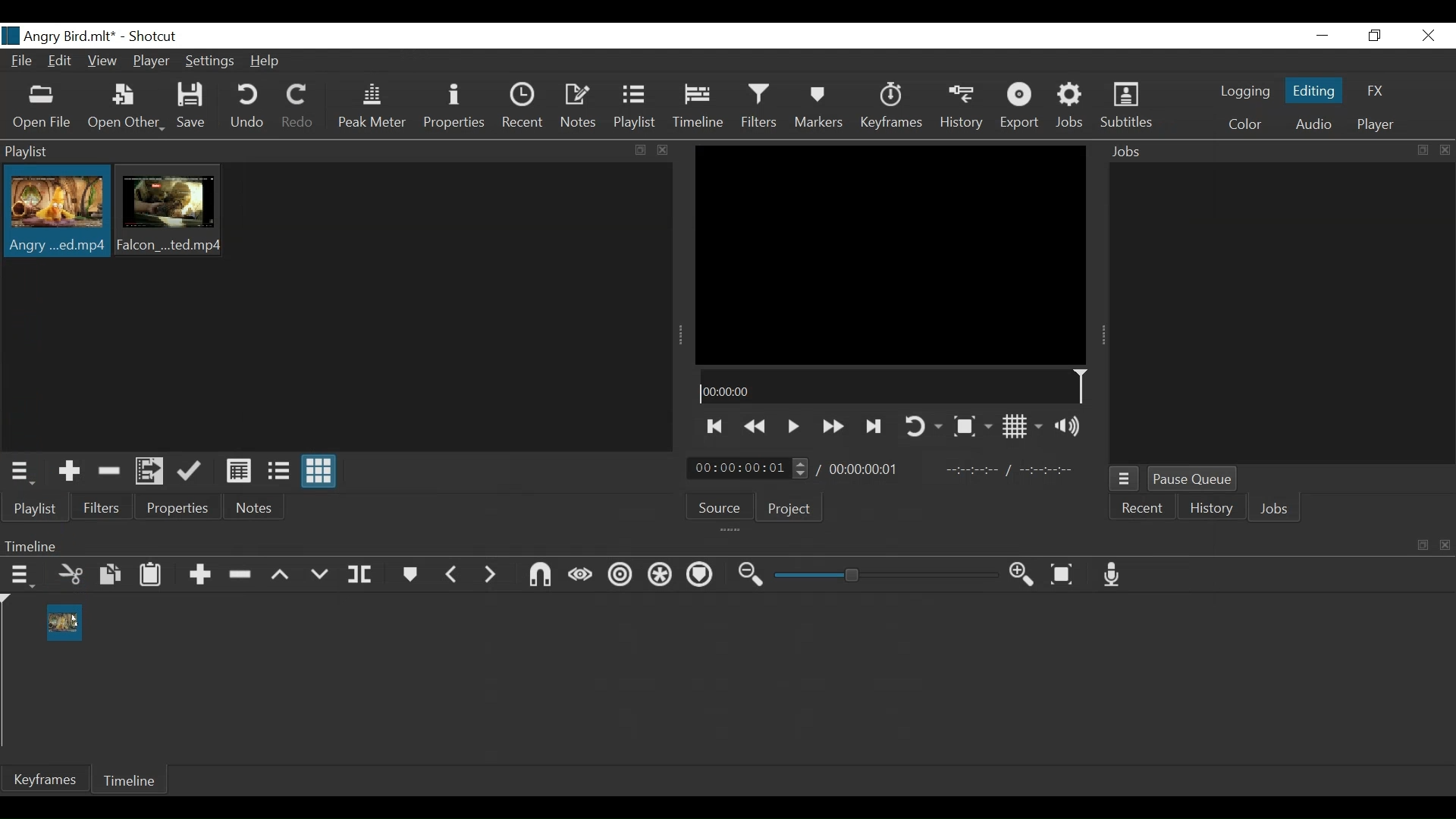 This screenshot has width=1456, height=819. Describe the element at coordinates (157, 36) in the screenshot. I see `Shotcut` at that location.